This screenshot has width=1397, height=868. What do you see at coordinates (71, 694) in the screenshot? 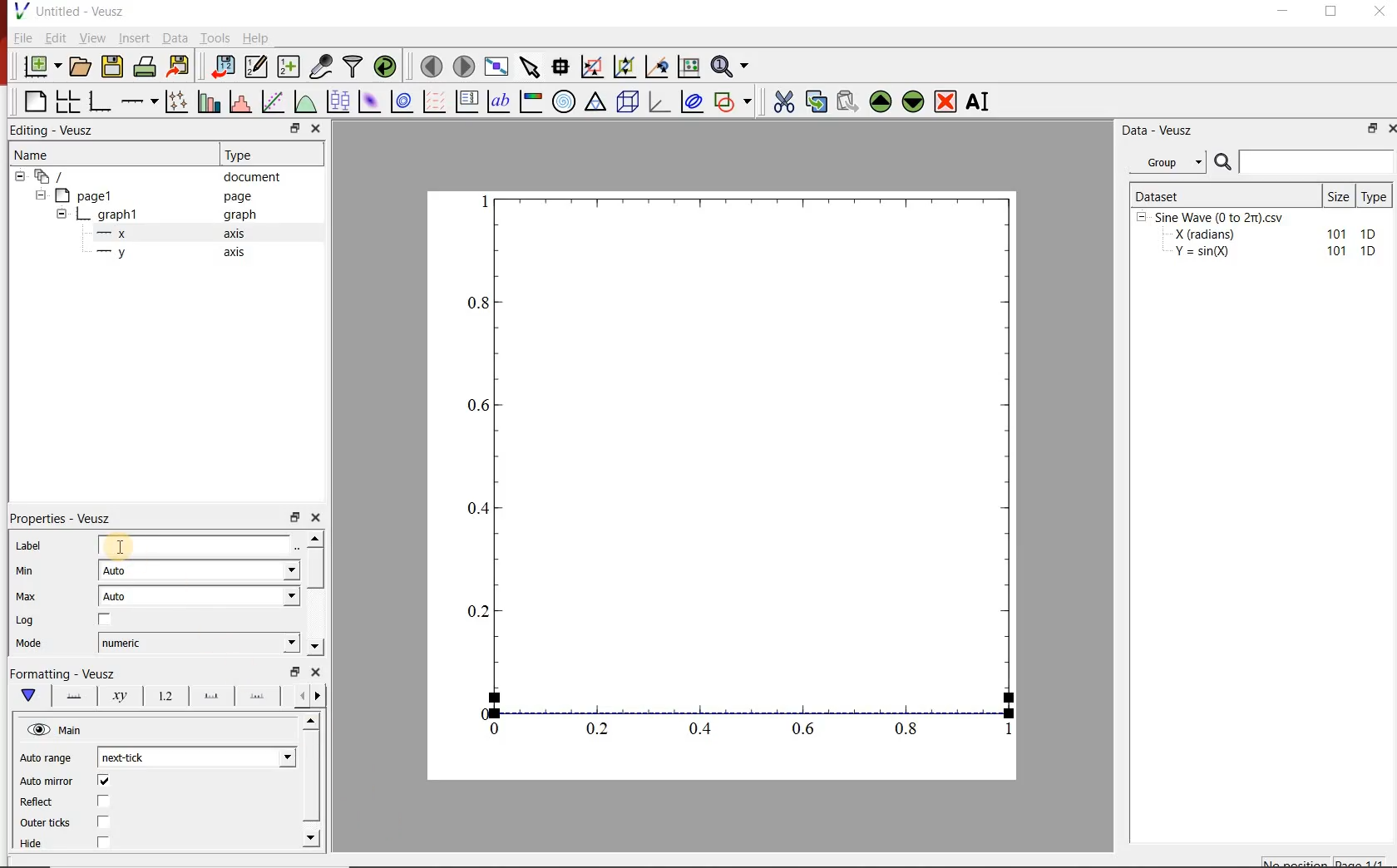
I see `options` at bounding box center [71, 694].